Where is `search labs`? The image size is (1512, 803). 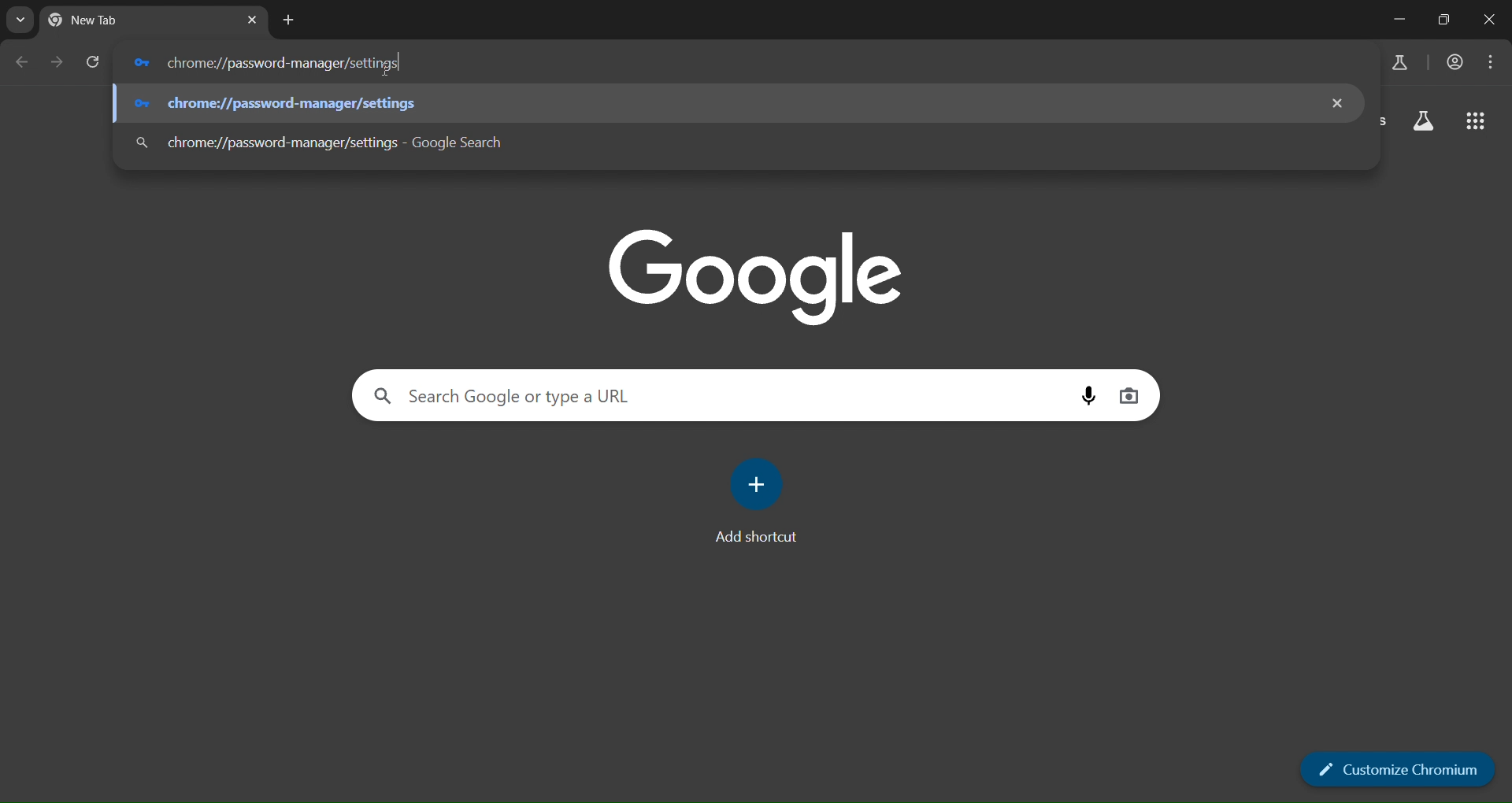
search labs is located at coordinates (1424, 121).